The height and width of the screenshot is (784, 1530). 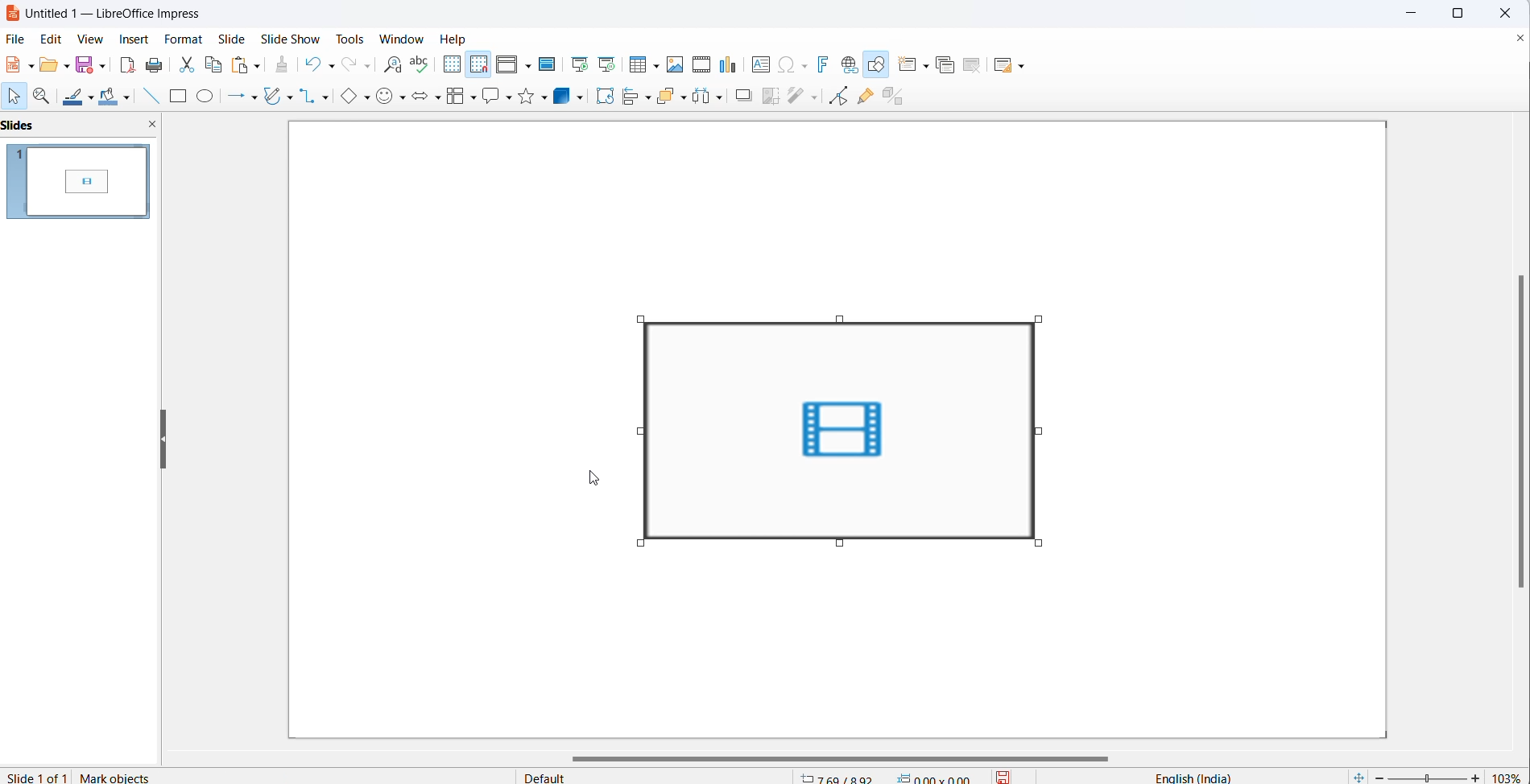 I want to click on selection markup, so click(x=841, y=544).